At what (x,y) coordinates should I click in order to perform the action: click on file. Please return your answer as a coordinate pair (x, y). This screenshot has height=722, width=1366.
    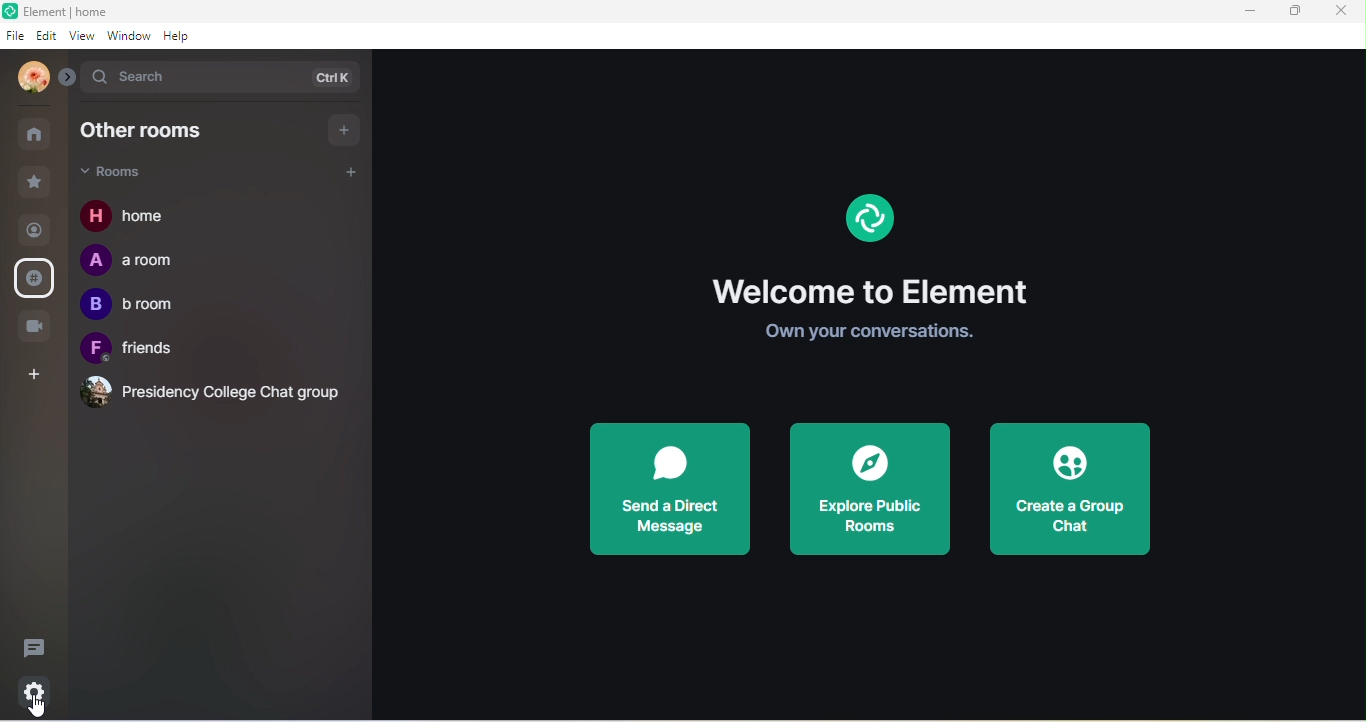
    Looking at the image, I should click on (17, 38).